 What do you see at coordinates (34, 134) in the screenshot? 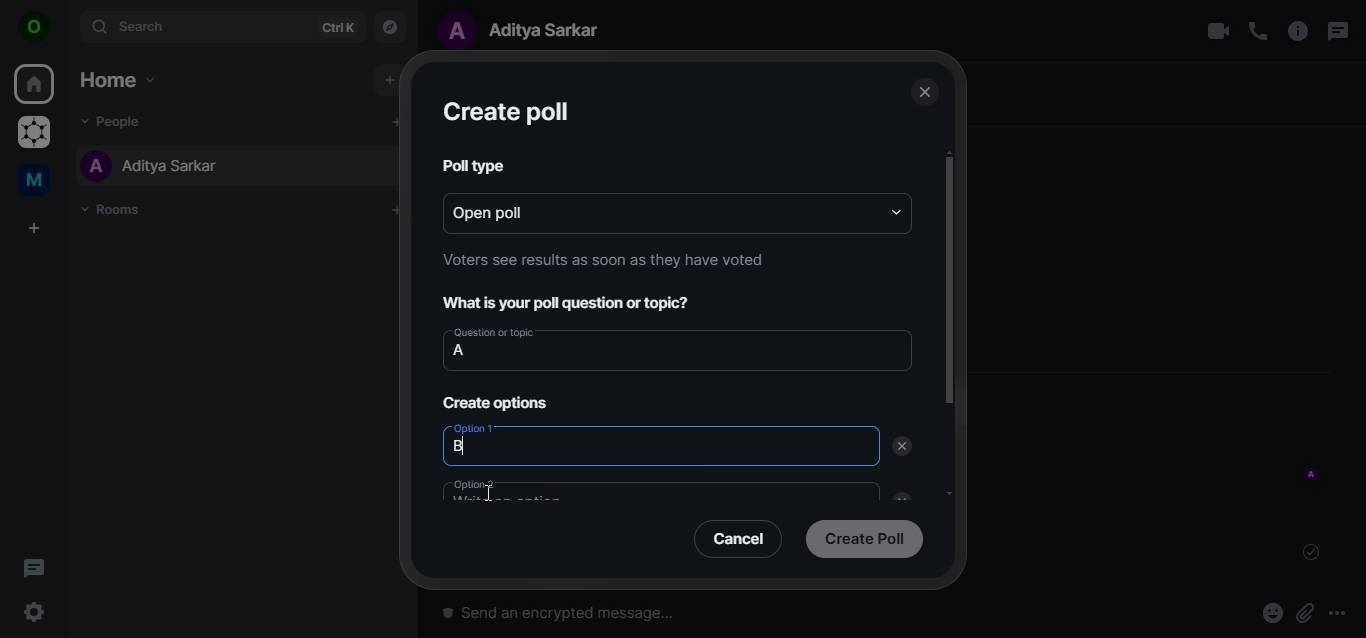
I see `graoheneos` at bounding box center [34, 134].